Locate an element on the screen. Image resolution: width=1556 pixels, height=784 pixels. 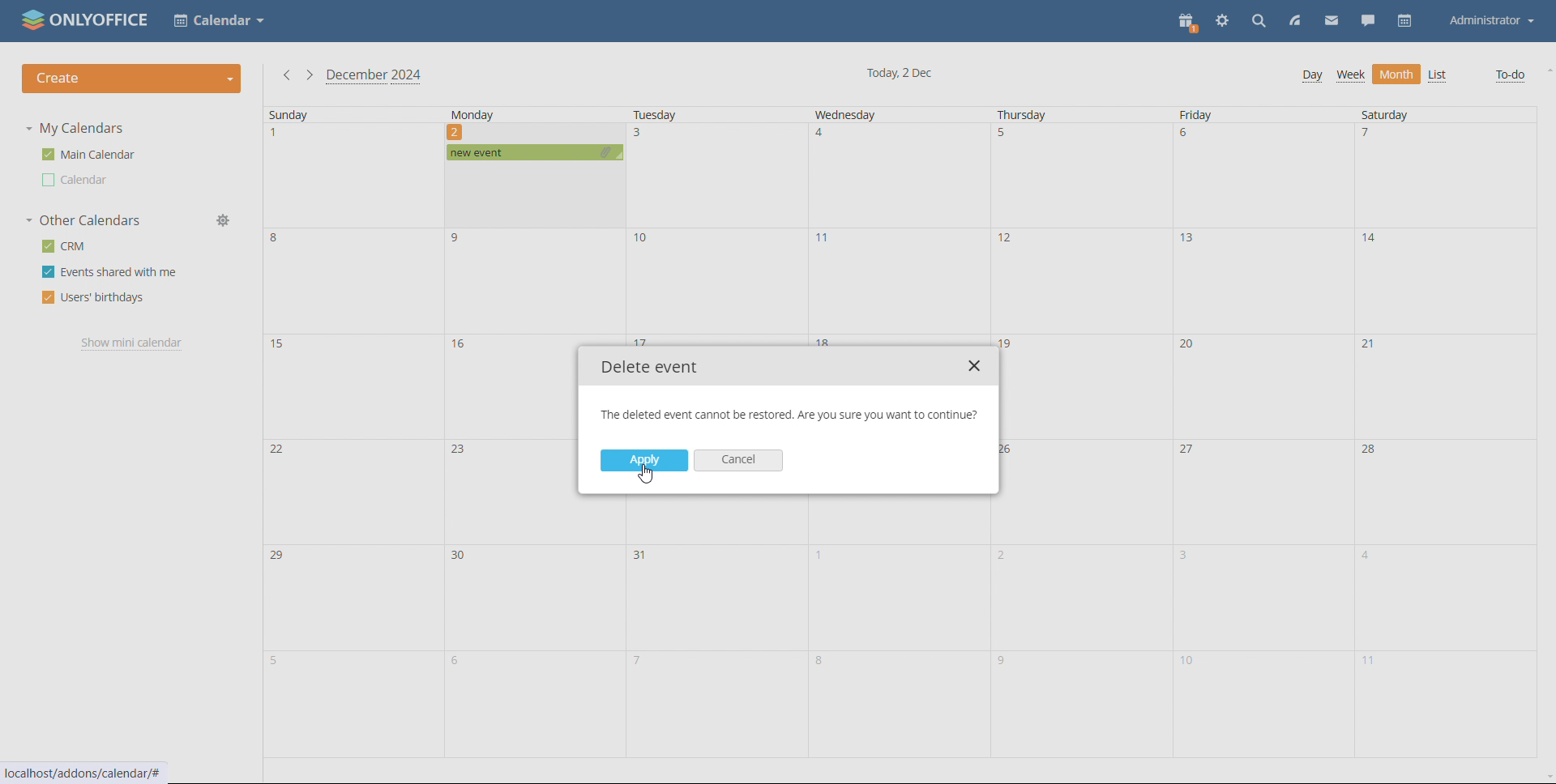
other calendars is located at coordinates (83, 220).